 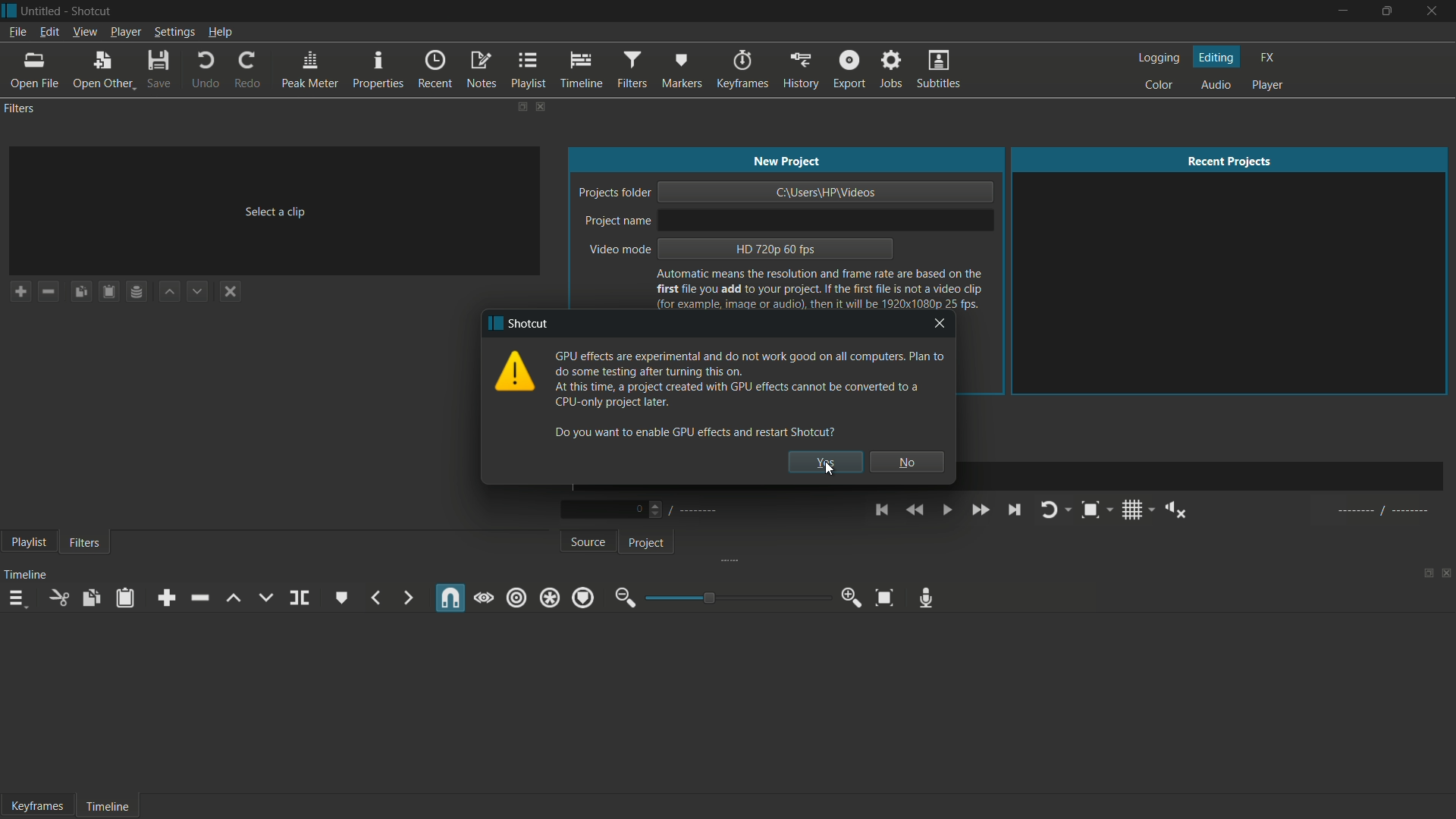 I want to click on open other, so click(x=107, y=71).